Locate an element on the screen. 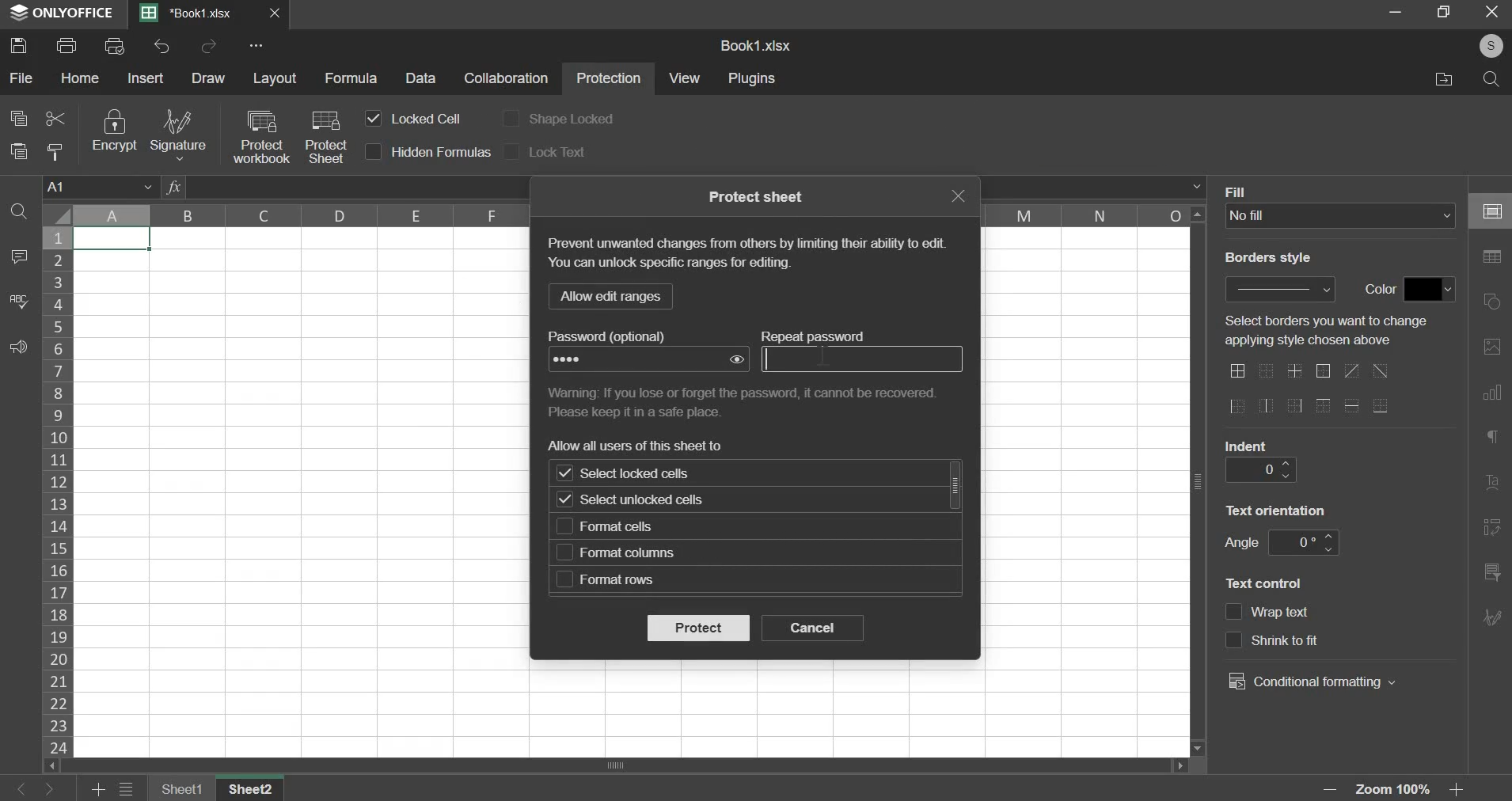  spelling is located at coordinates (19, 301).